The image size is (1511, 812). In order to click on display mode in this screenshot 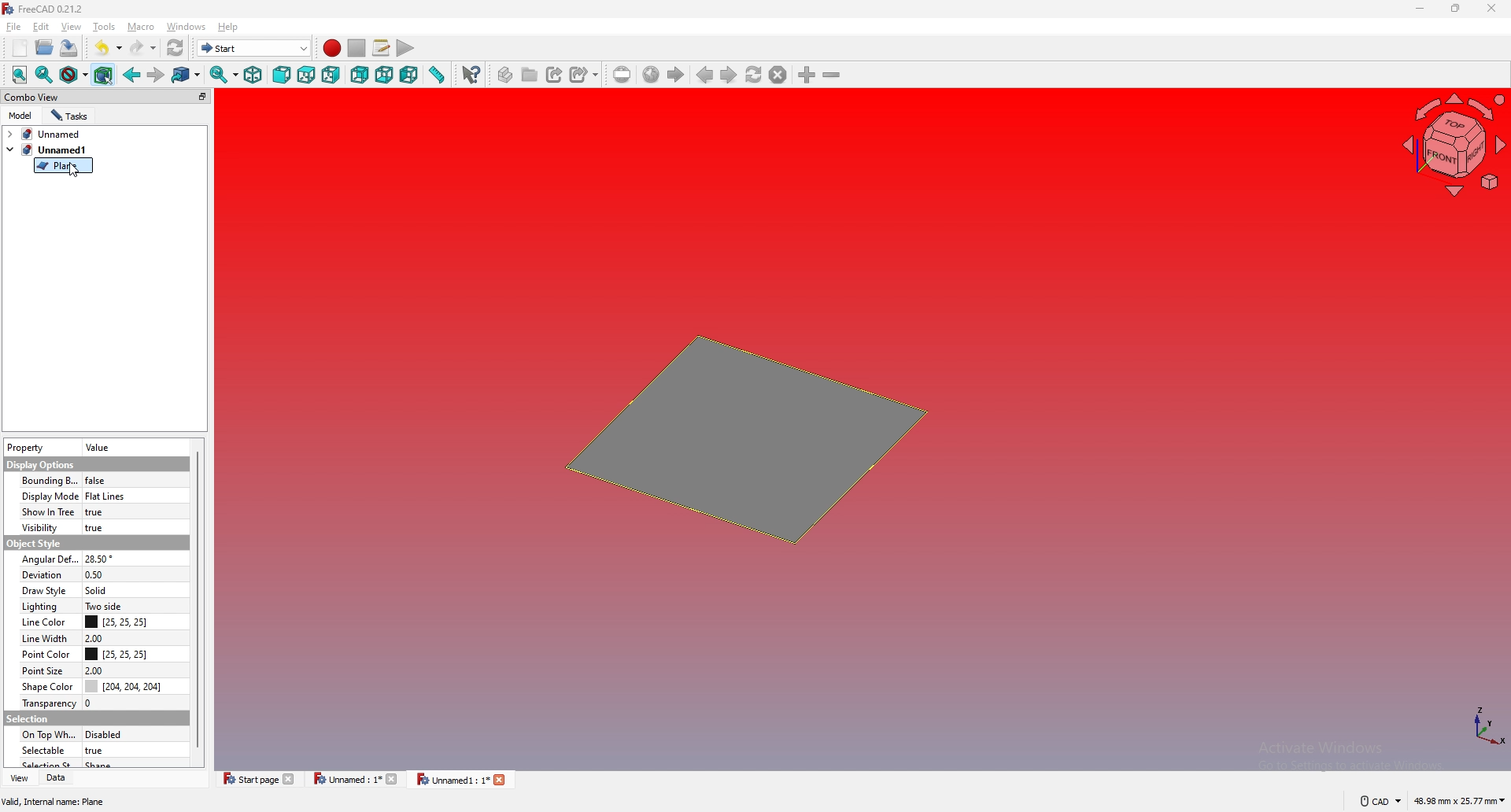, I will do `click(48, 496)`.